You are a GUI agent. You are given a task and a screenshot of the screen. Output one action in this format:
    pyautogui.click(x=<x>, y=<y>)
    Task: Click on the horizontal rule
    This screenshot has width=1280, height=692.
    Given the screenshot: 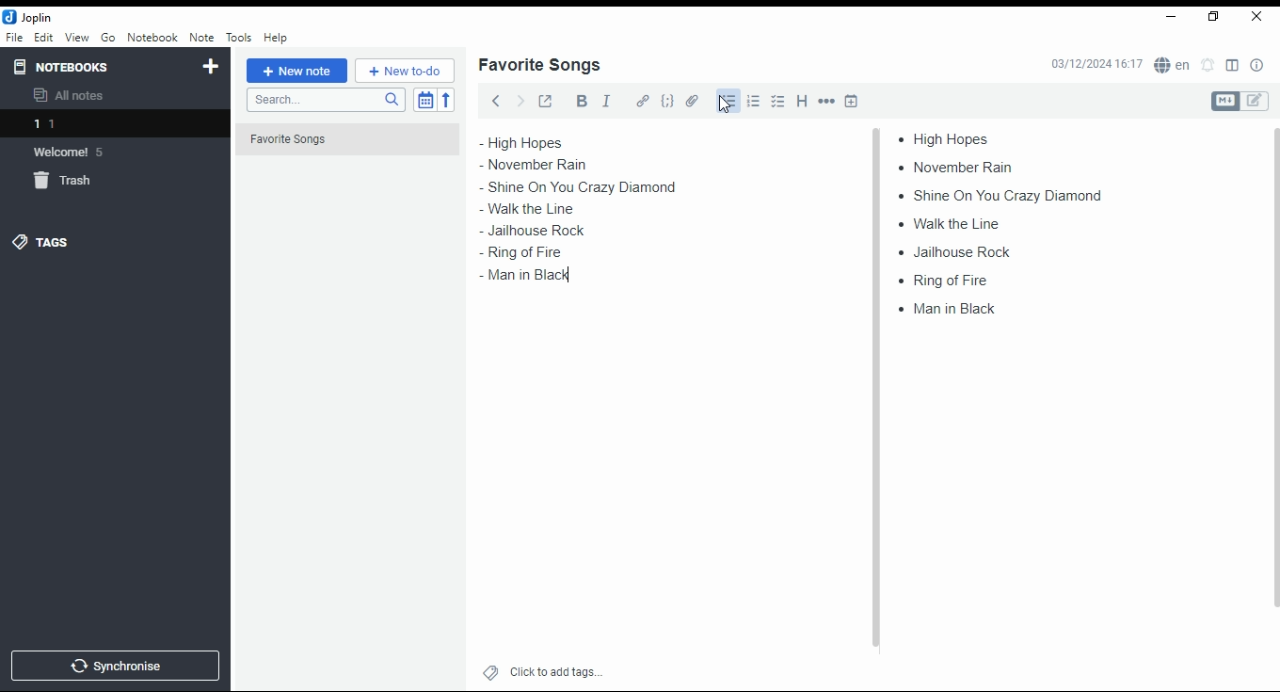 What is the action you would take?
    pyautogui.click(x=828, y=100)
    